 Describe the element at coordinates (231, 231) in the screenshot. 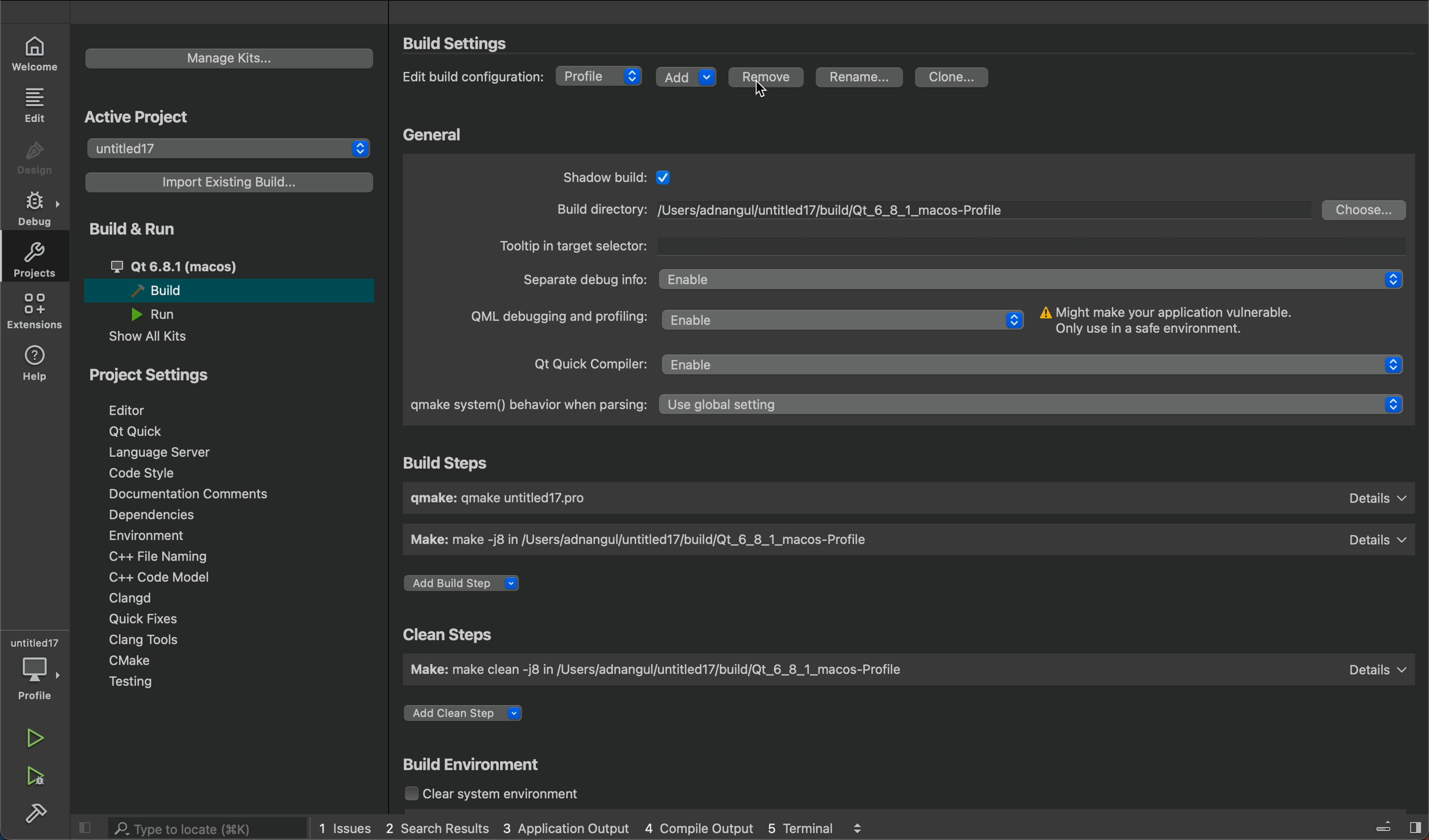

I see `build and run` at that location.